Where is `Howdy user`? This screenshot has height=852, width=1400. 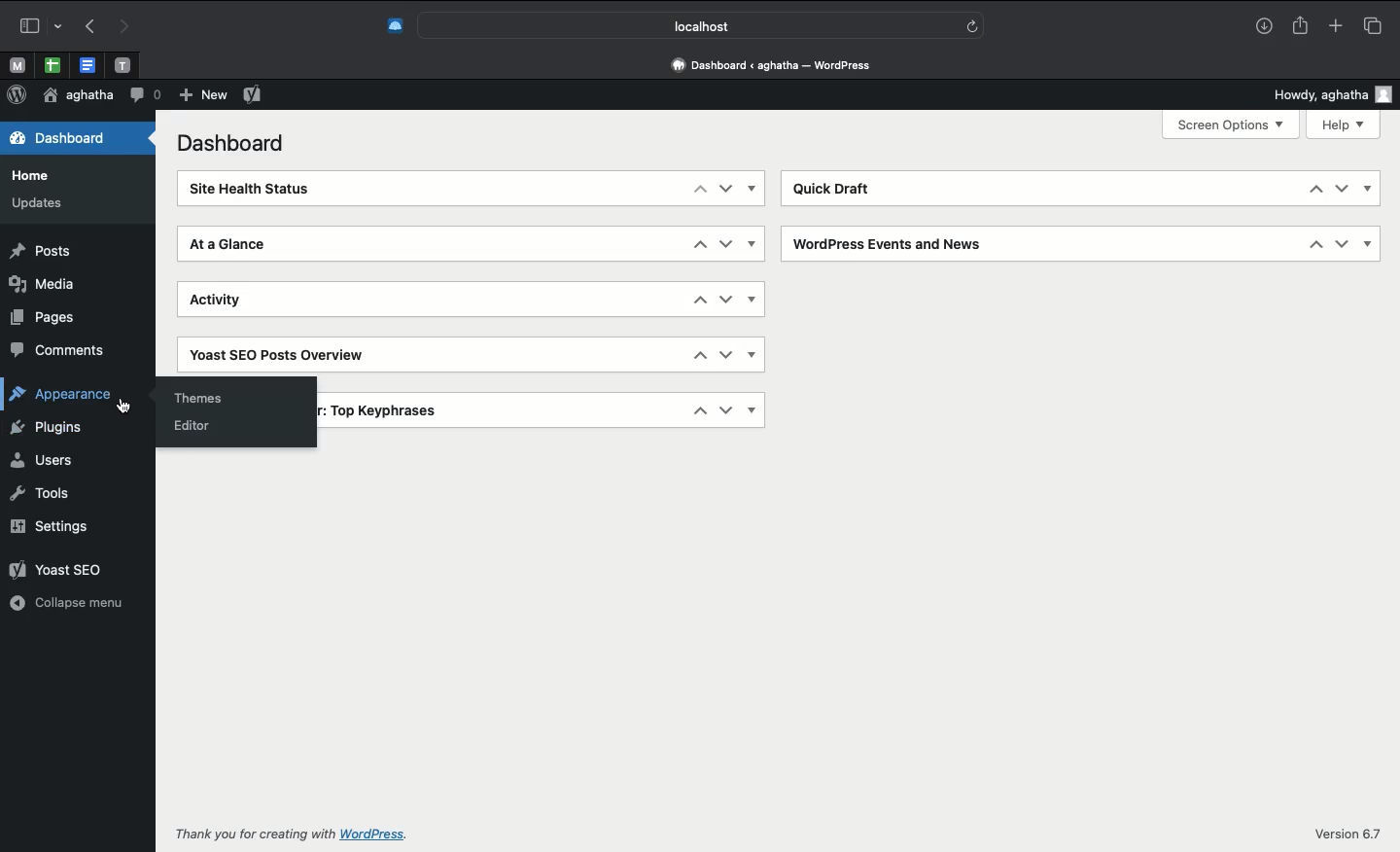
Howdy user is located at coordinates (1327, 94).